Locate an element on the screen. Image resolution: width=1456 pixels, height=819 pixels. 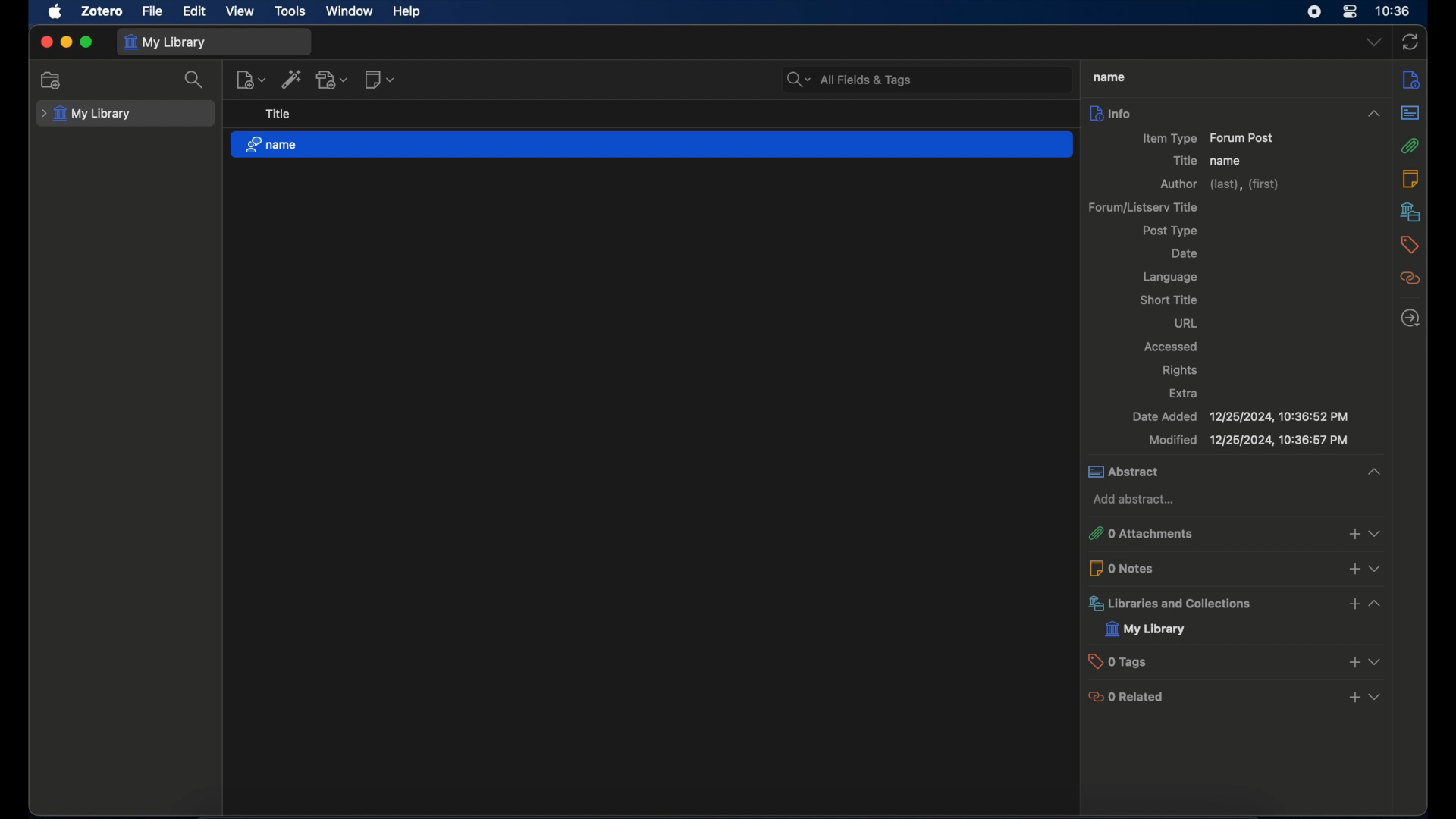
search bar is located at coordinates (848, 79).